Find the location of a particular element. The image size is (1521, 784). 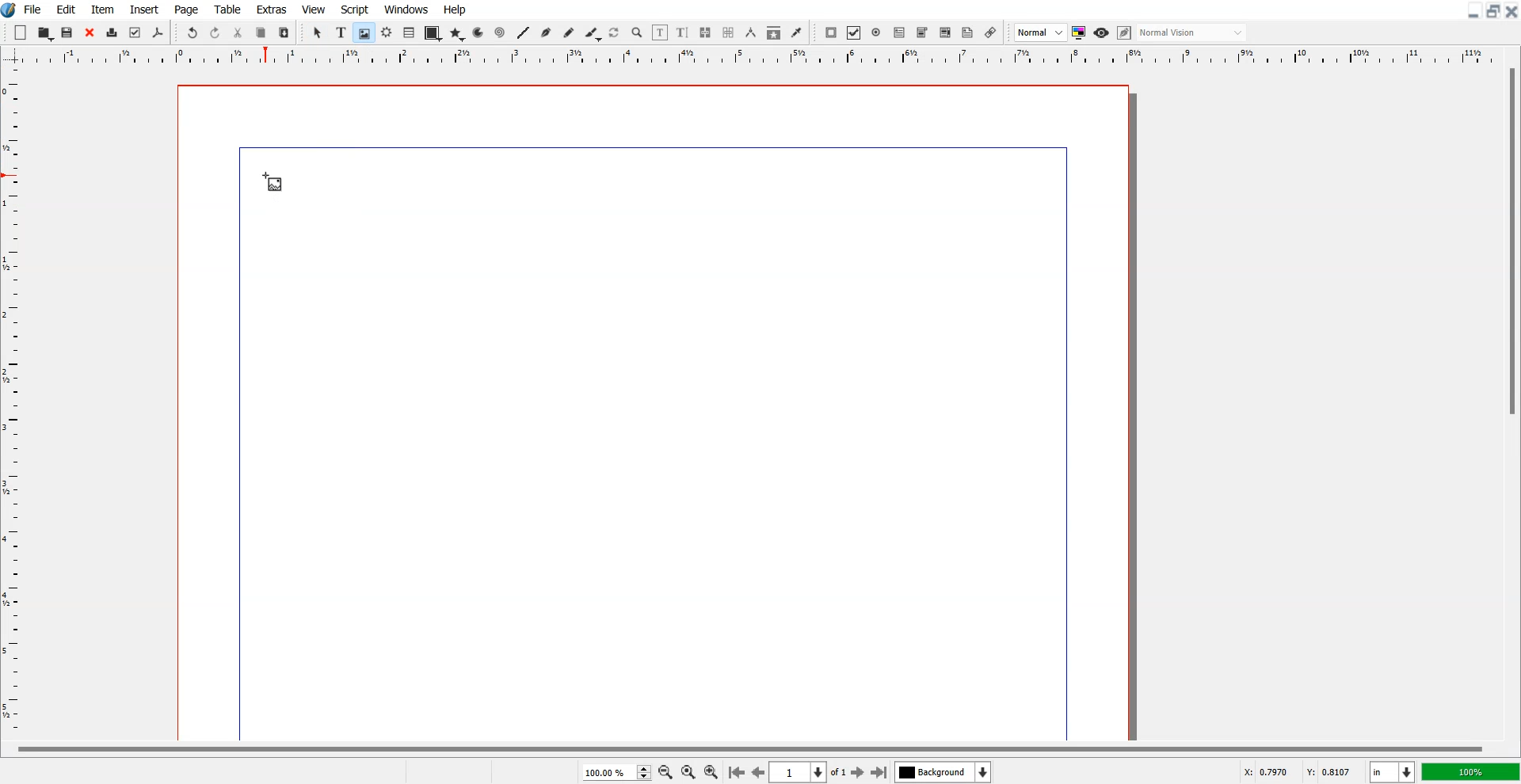

Close is located at coordinates (1511, 11).